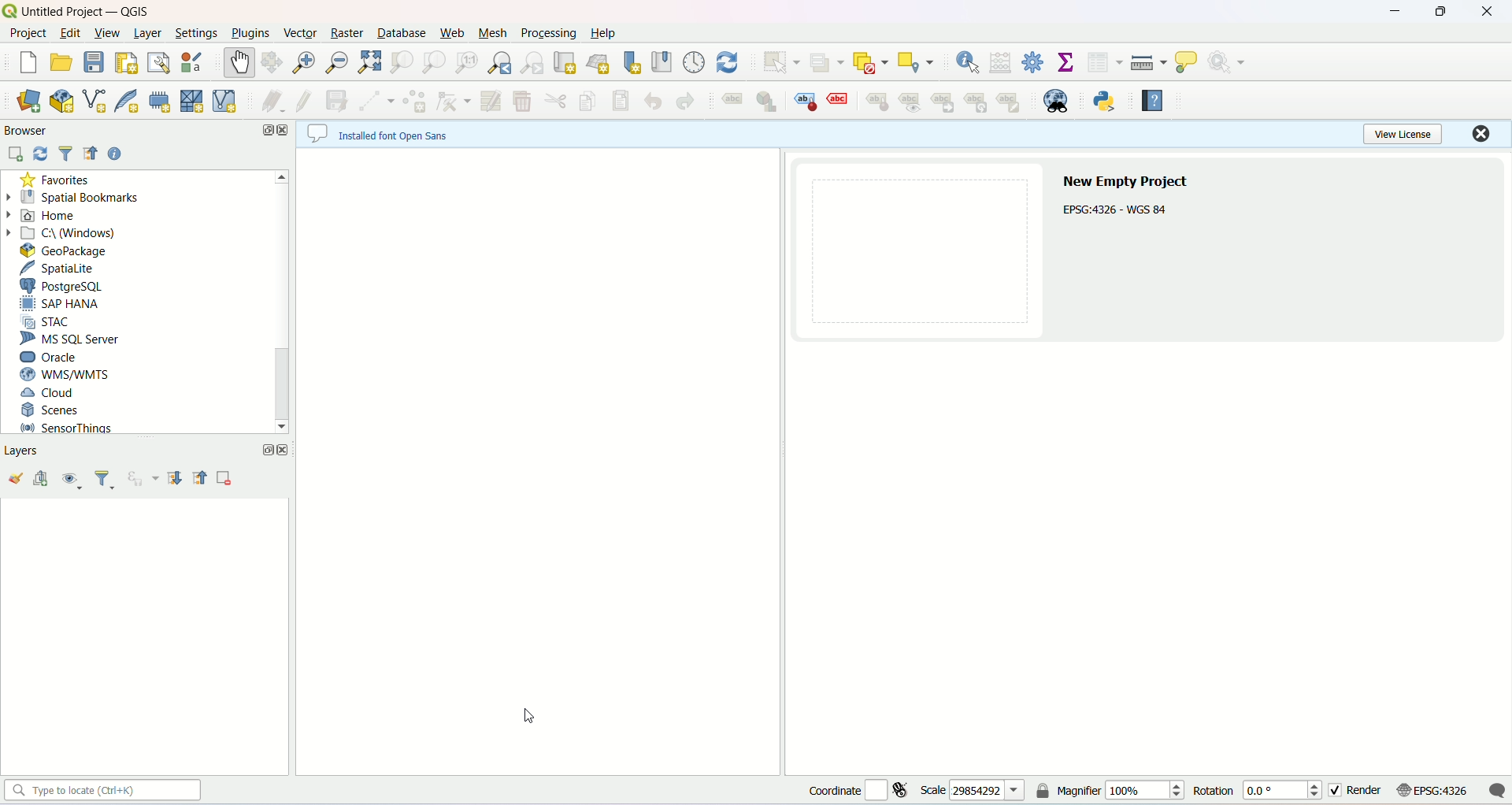 This screenshot has height=805, width=1512. I want to click on vertex tool, so click(453, 100).